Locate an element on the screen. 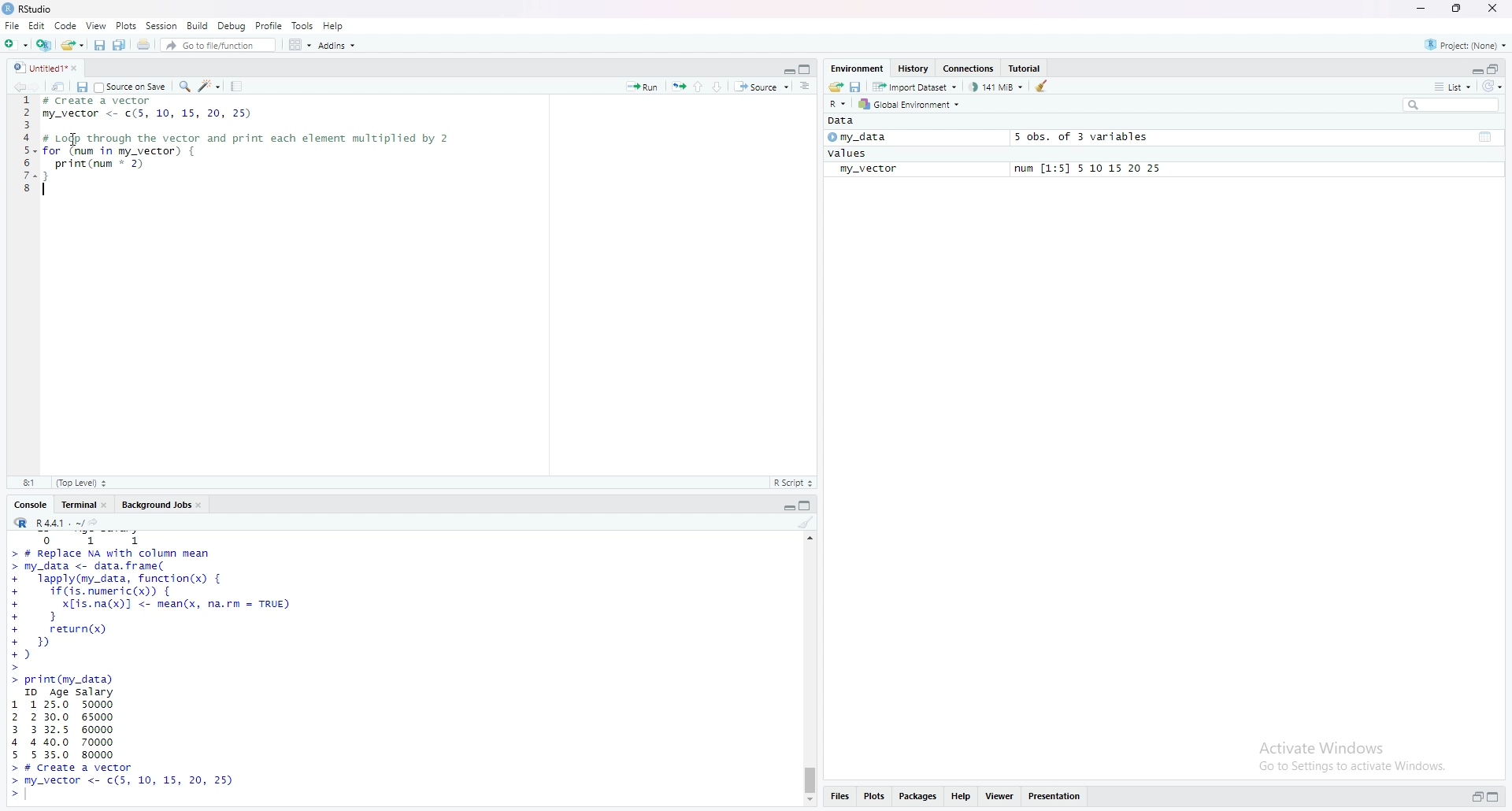 This screenshot has width=1512, height=811. view the current working directory is located at coordinates (98, 523).